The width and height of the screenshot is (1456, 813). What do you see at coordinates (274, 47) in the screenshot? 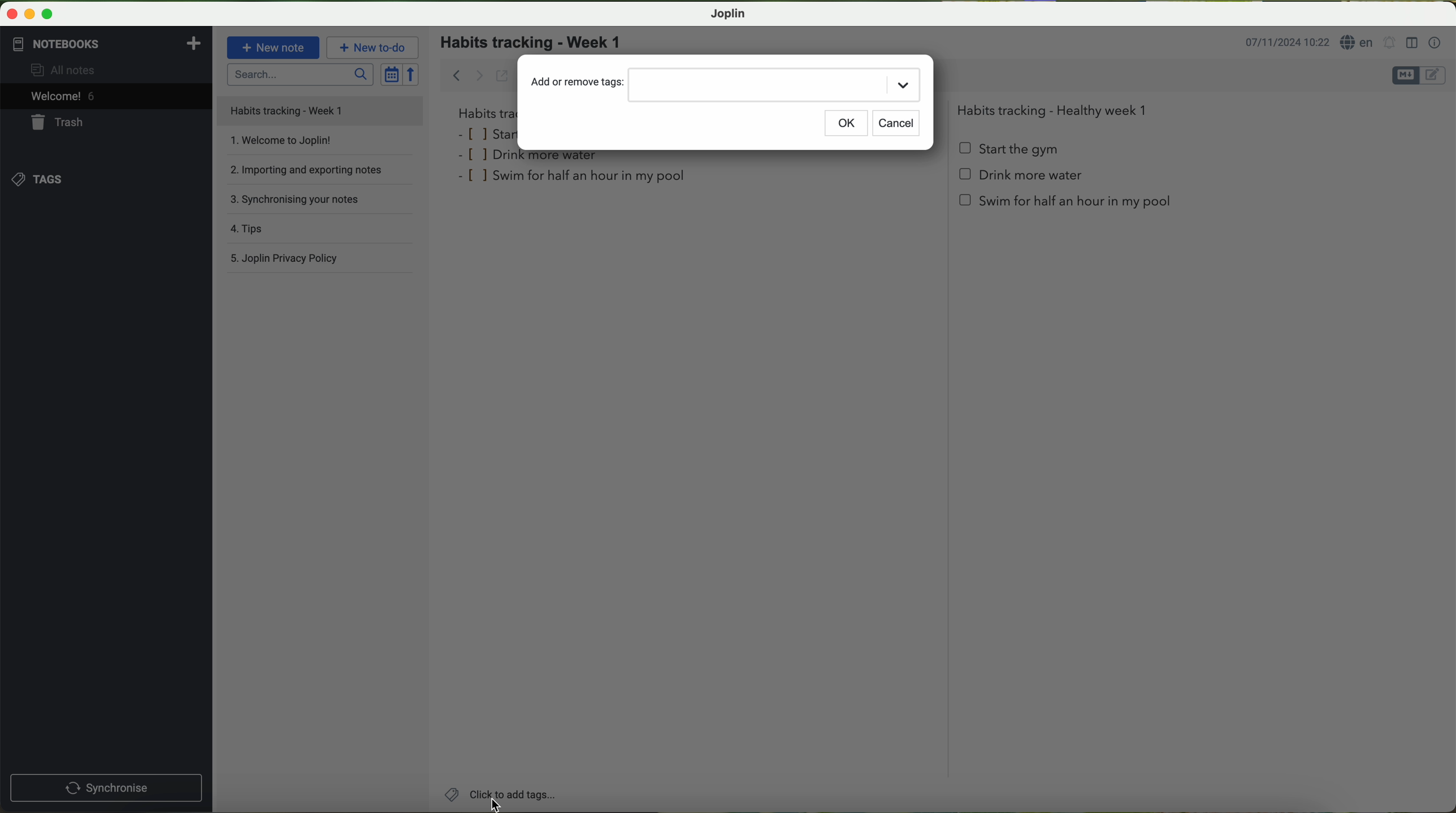
I see `new note button` at bounding box center [274, 47].